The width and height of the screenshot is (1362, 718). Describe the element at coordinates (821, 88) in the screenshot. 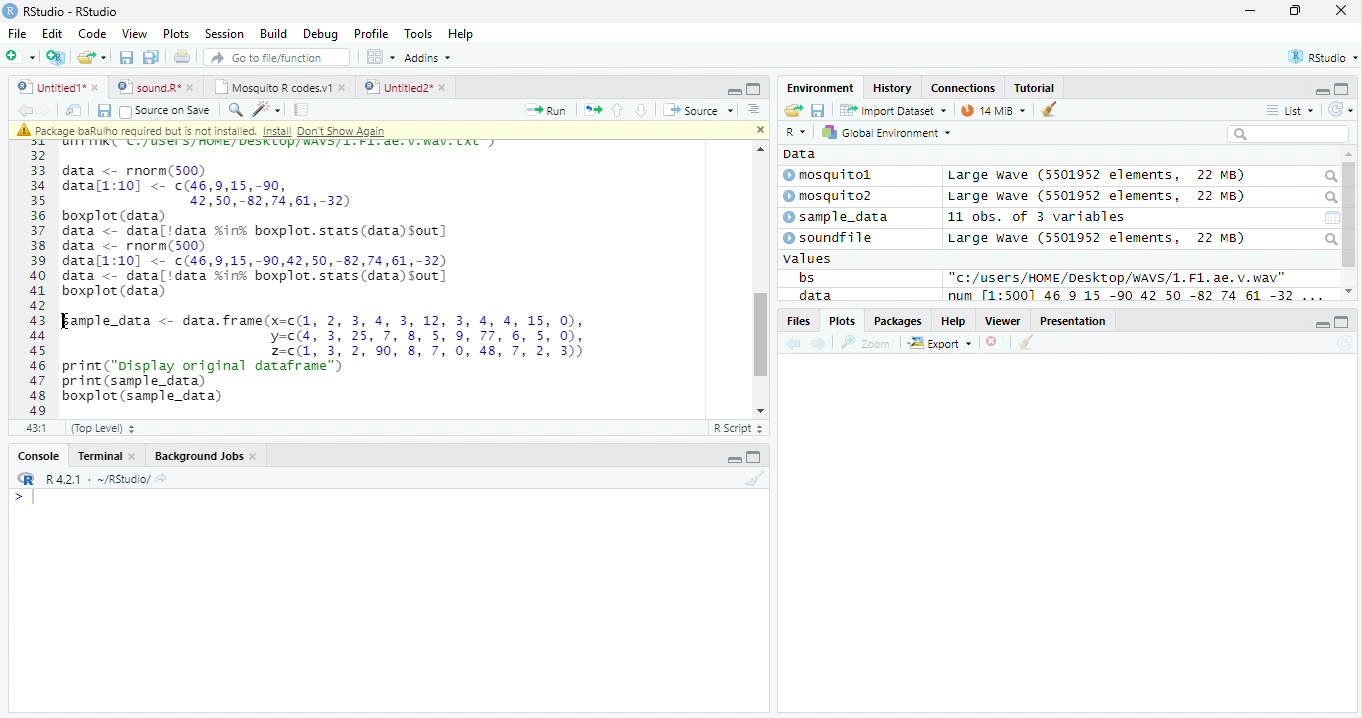

I see `Environment` at that location.